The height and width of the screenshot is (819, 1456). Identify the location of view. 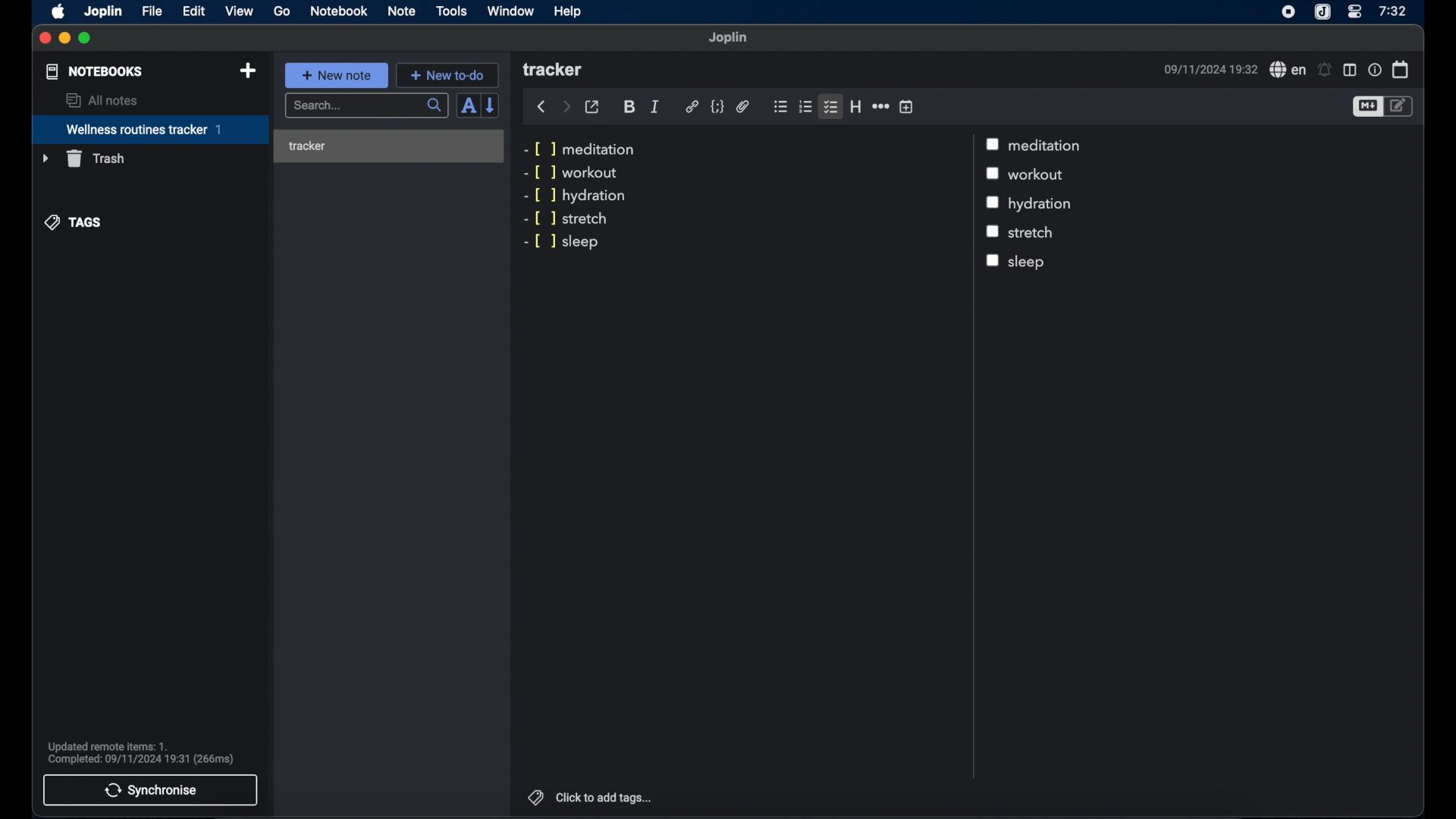
(239, 11).